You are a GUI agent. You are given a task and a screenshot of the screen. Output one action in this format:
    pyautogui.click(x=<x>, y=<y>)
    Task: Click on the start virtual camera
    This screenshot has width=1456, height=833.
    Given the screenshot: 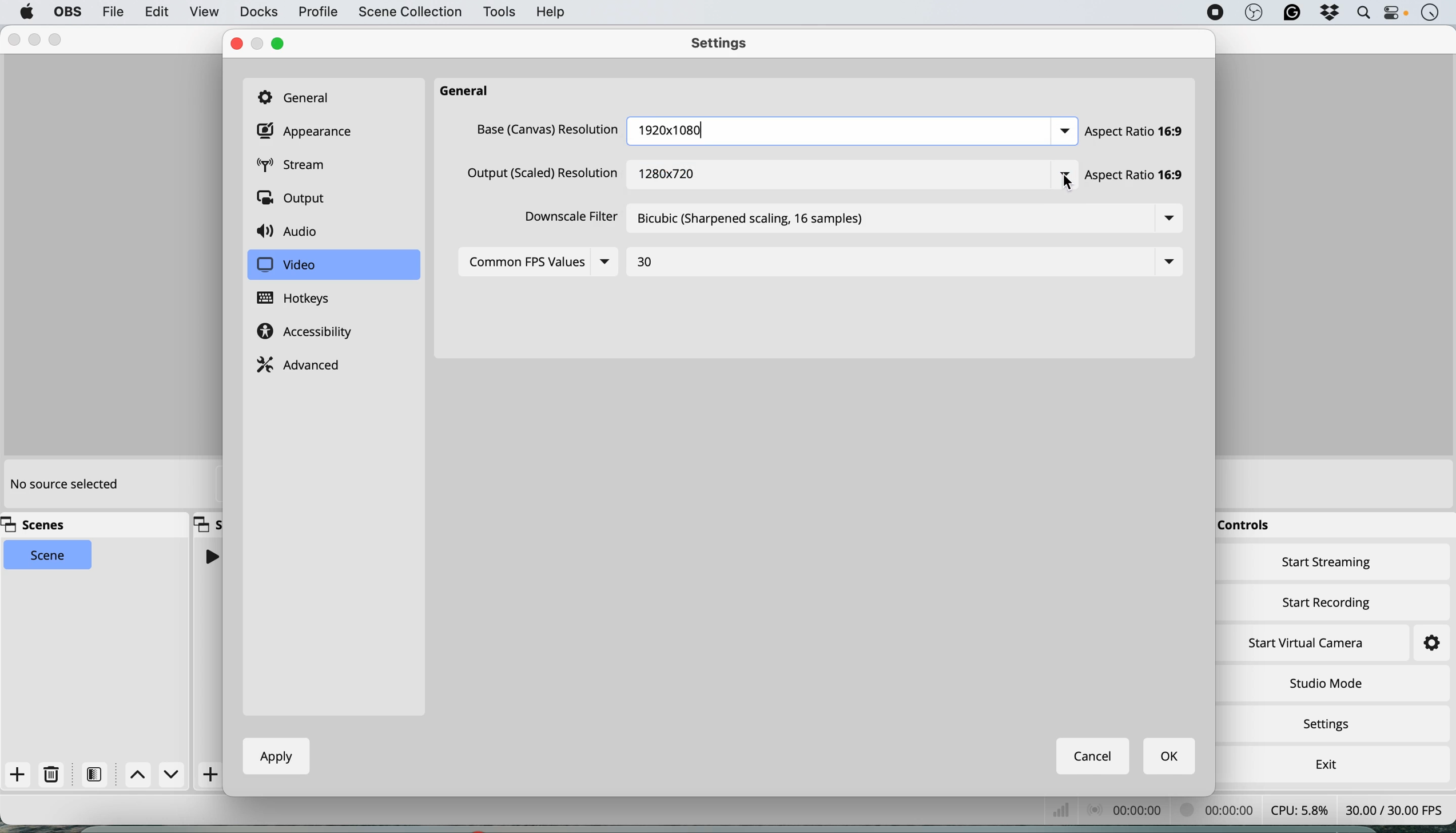 What is the action you would take?
    pyautogui.click(x=1307, y=643)
    